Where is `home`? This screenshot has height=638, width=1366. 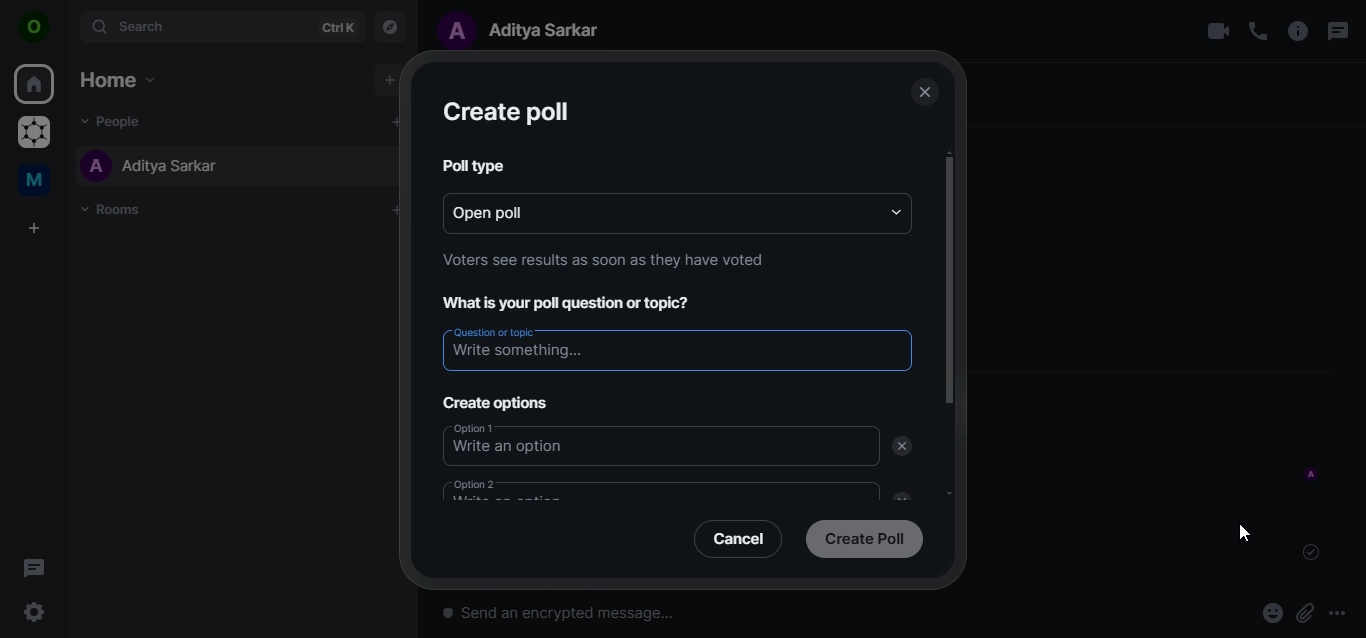 home is located at coordinates (116, 79).